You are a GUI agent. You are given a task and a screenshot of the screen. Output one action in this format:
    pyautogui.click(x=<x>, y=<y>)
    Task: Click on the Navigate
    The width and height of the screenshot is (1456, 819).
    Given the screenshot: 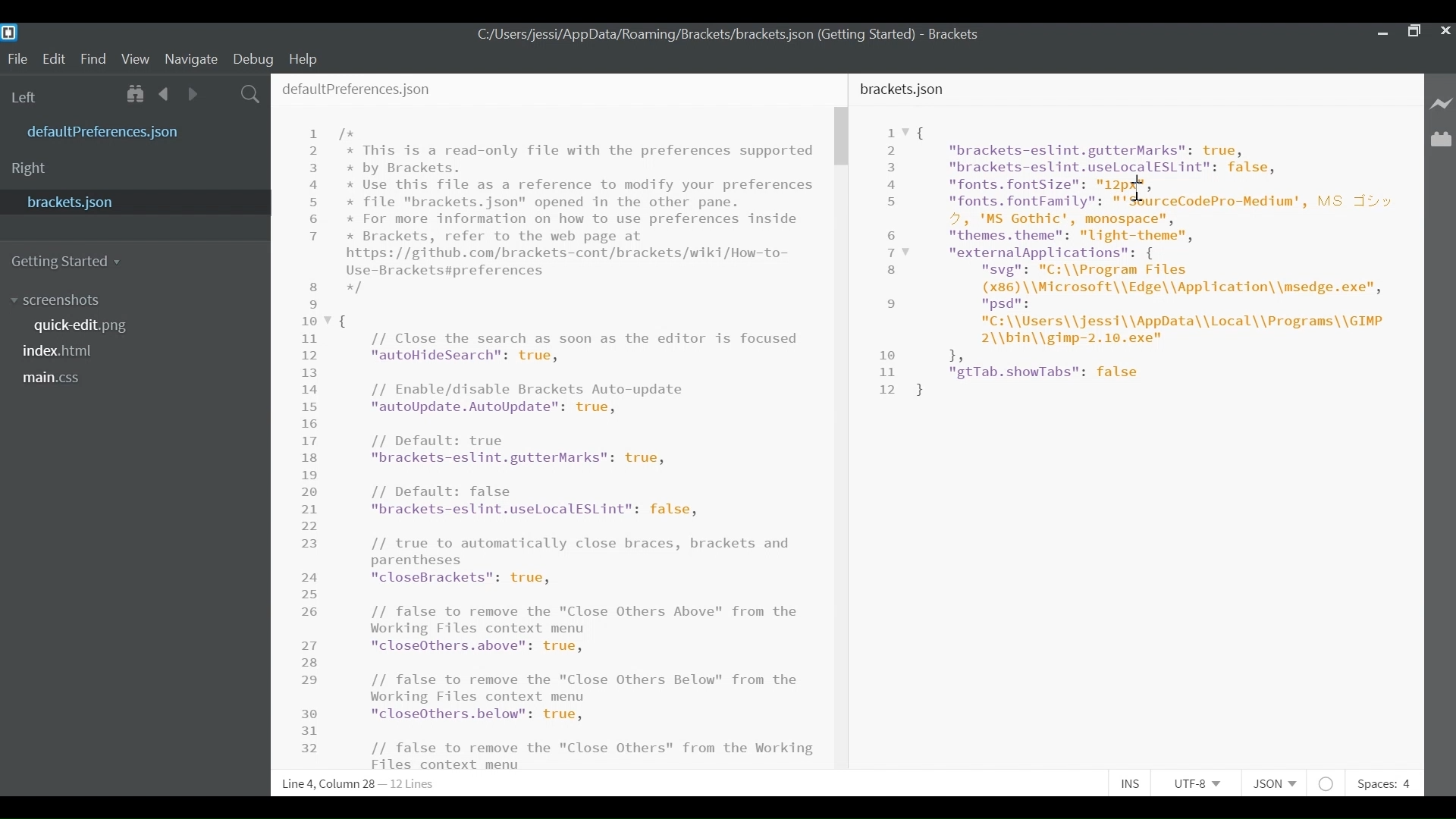 What is the action you would take?
    pyautogui.click(x=190, y=59)
    